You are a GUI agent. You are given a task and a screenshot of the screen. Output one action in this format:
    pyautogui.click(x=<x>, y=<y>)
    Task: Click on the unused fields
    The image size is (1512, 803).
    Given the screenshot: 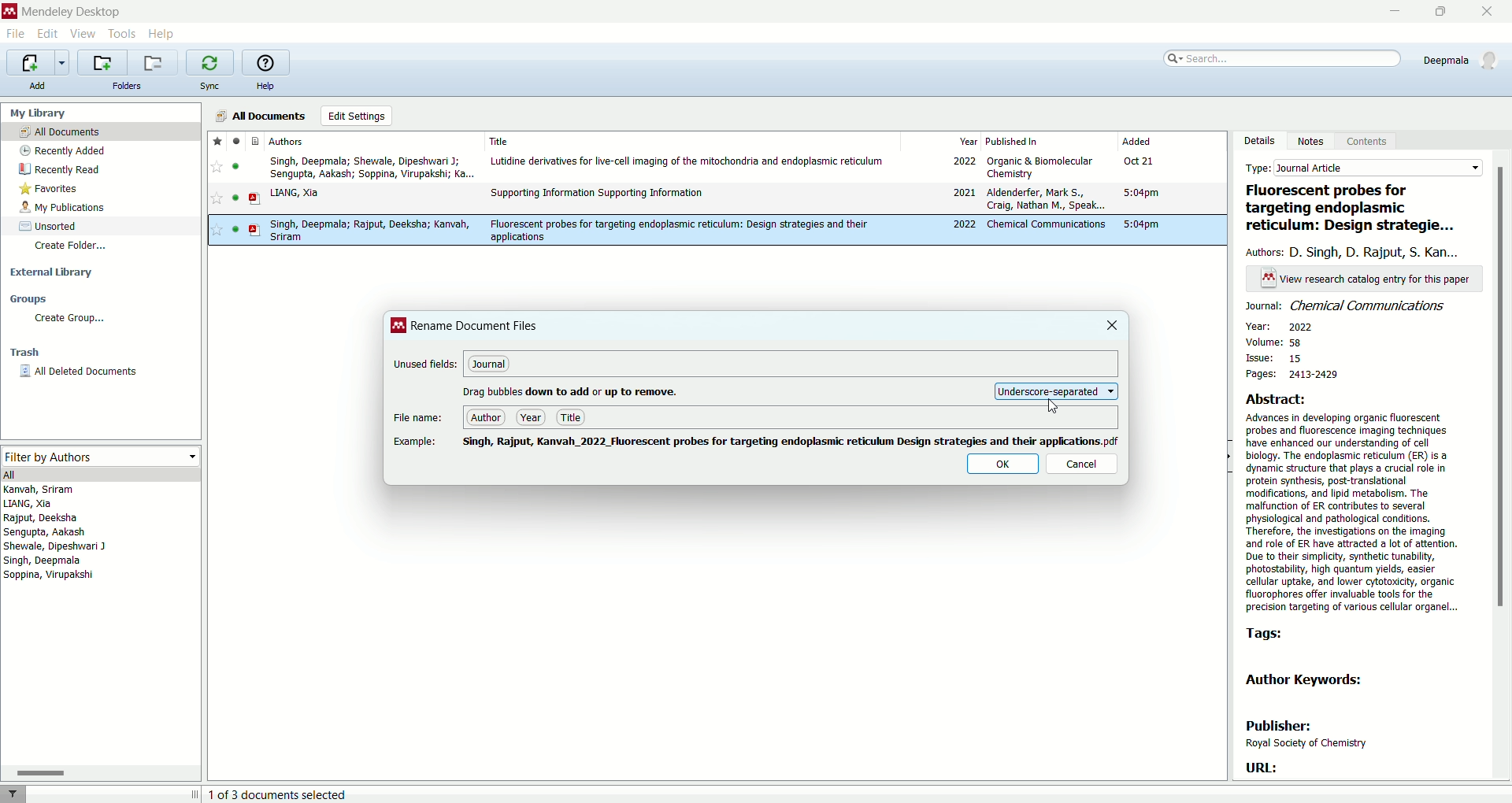 What is the action you would take?
    pyautogui.click(x=426, y=364)
    